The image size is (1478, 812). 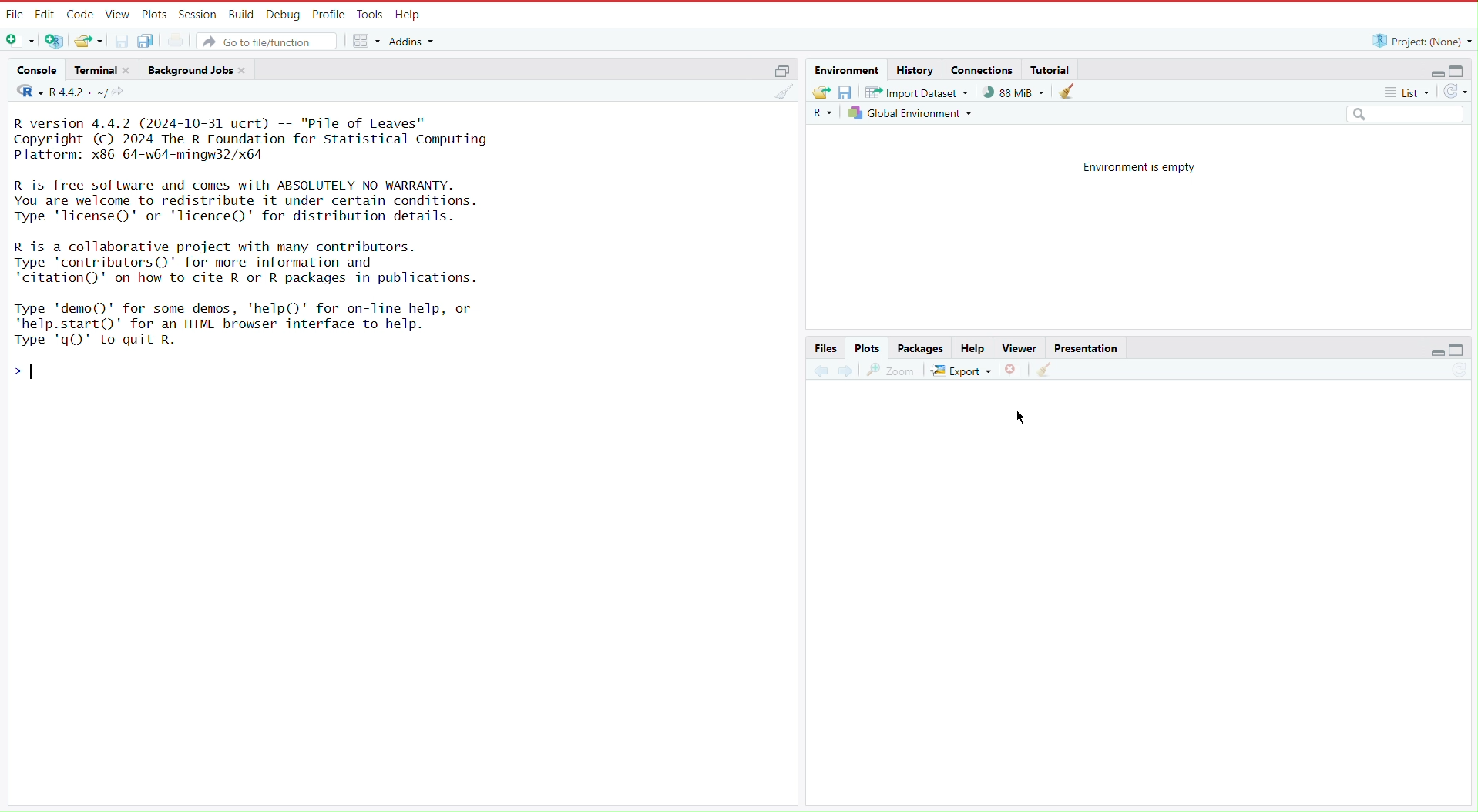 I want to click on Clear console (Ctrl +L), so click(x=1071, y=92).